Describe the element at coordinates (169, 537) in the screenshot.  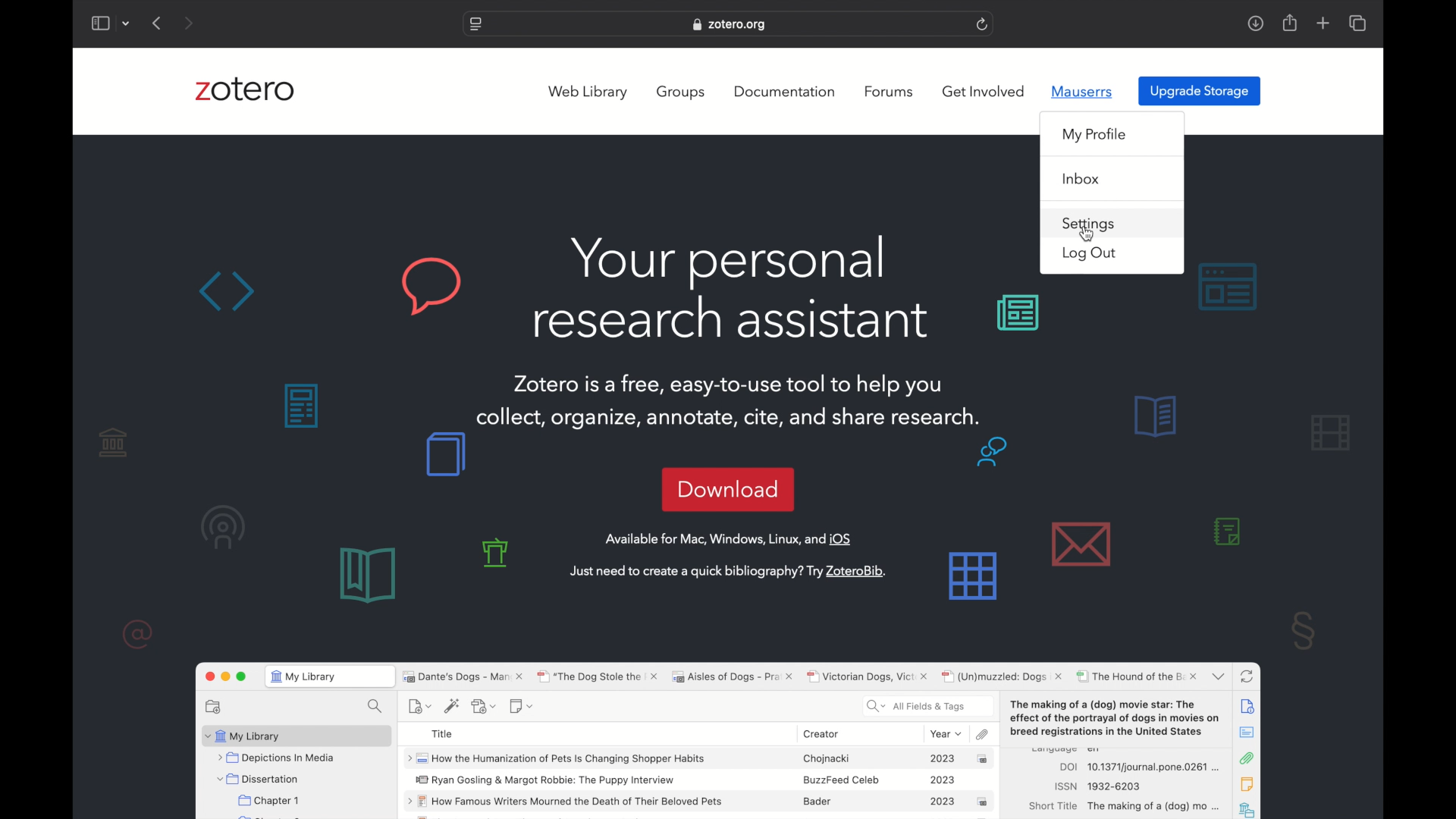
I see `background graphics` at that location.